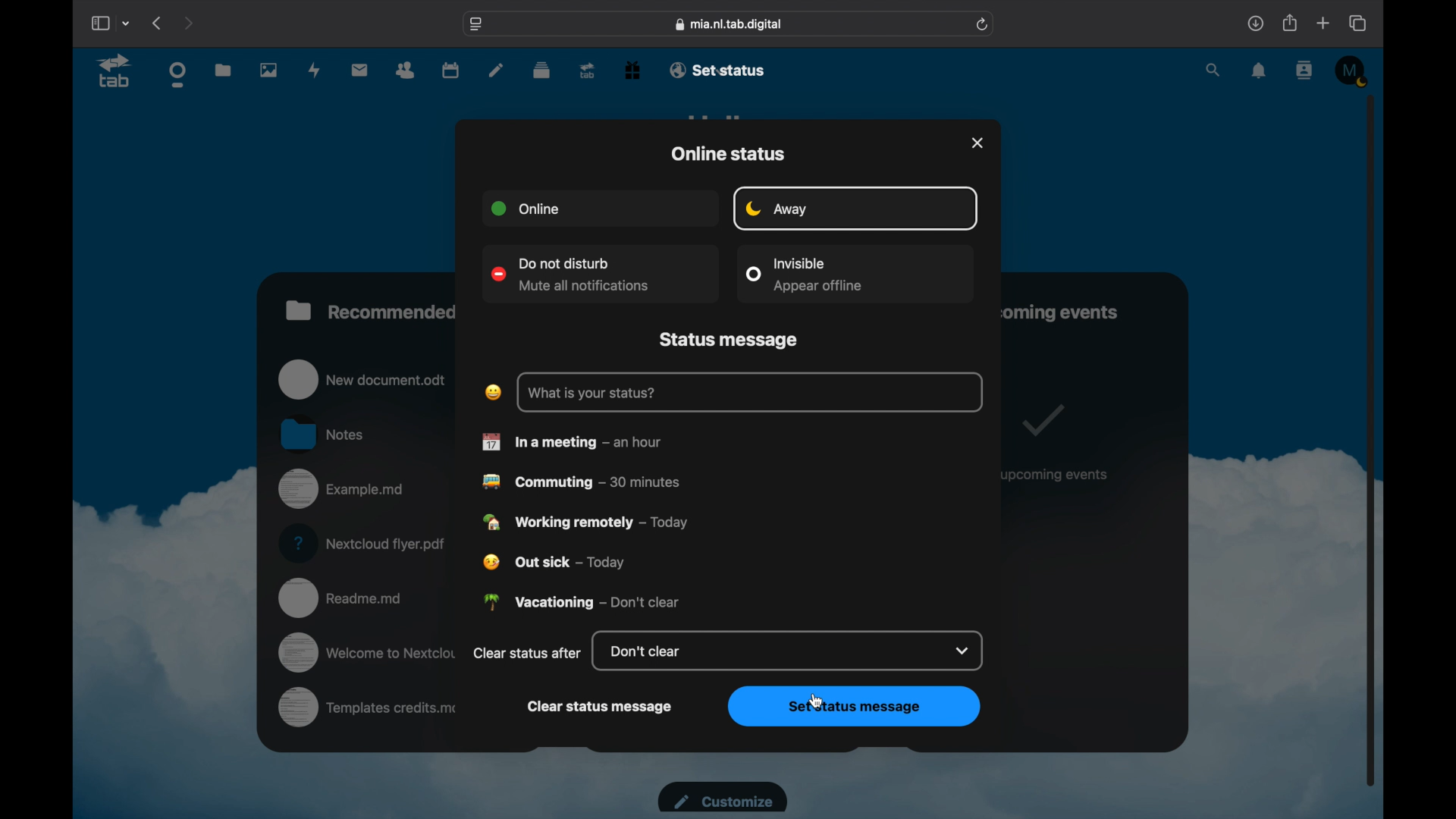 The height and width of the screenshot is (819, 1456). Describe the element at coordinates (115, 73) in the screenshot. I see `tab` at that location.